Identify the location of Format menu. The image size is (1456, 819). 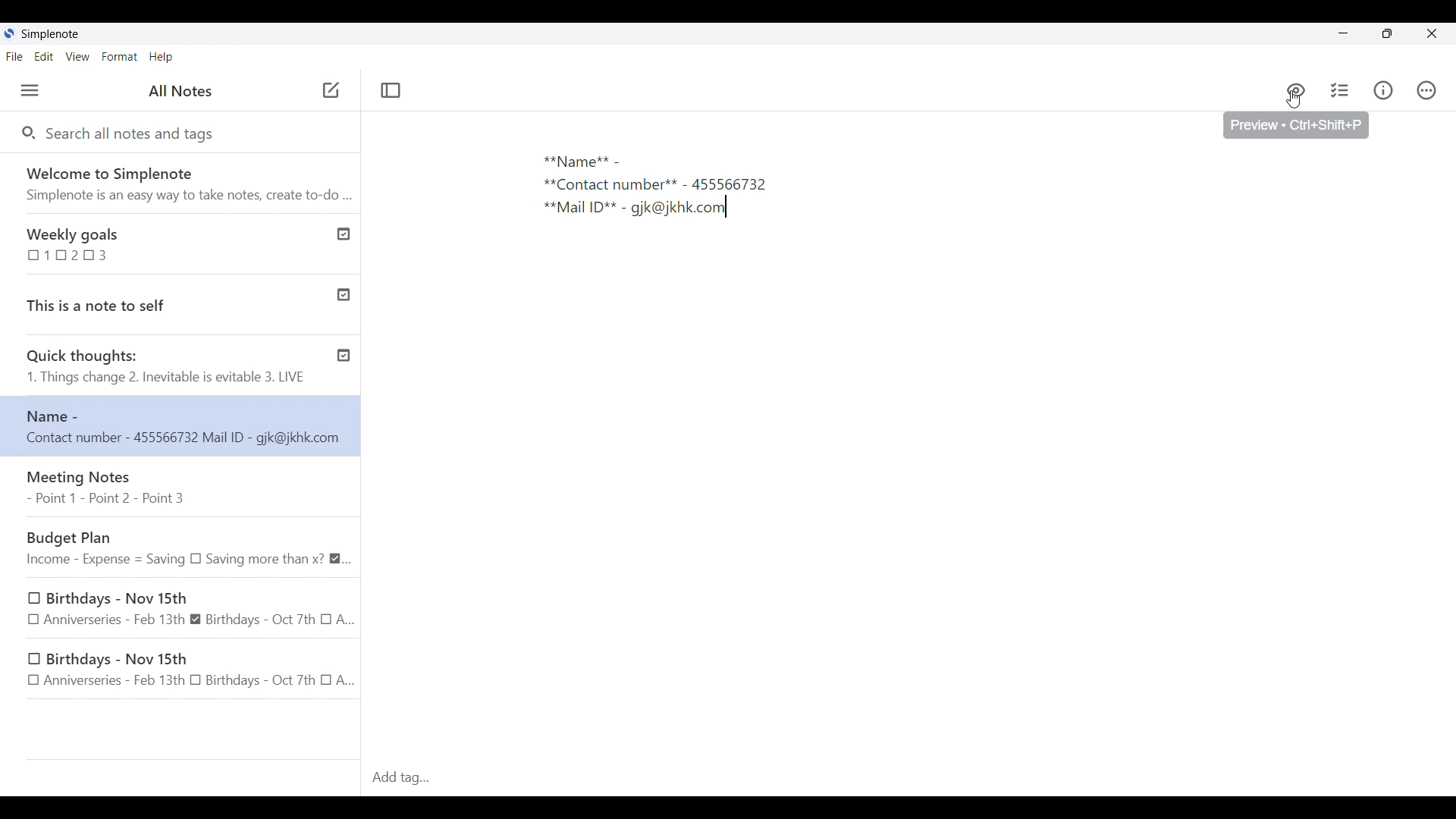
(119, 57).